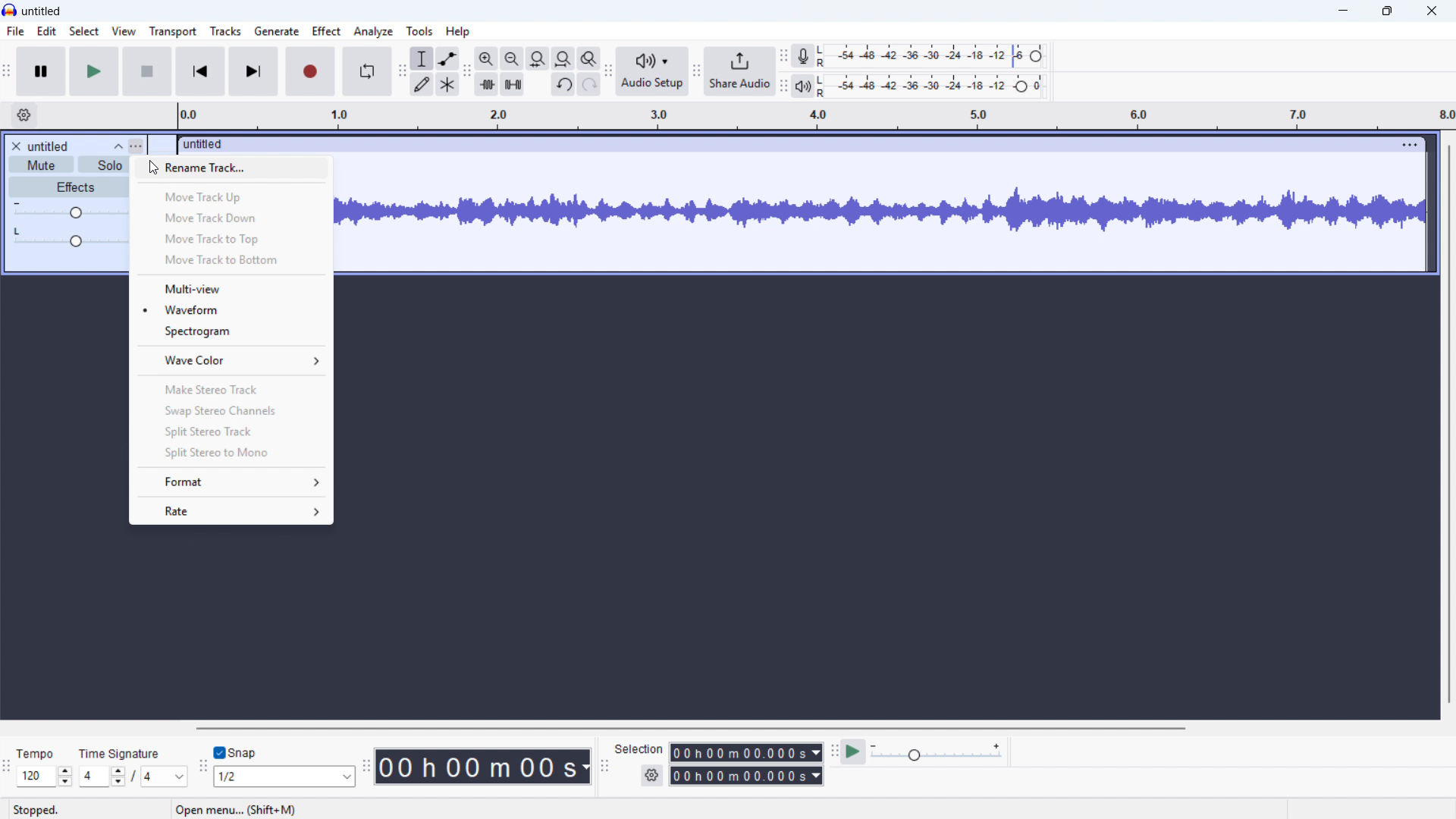 This screenshot has height=819, width=1456. Describe the element at coordinates (937, 752) in the screenshot. I see `` at that location.